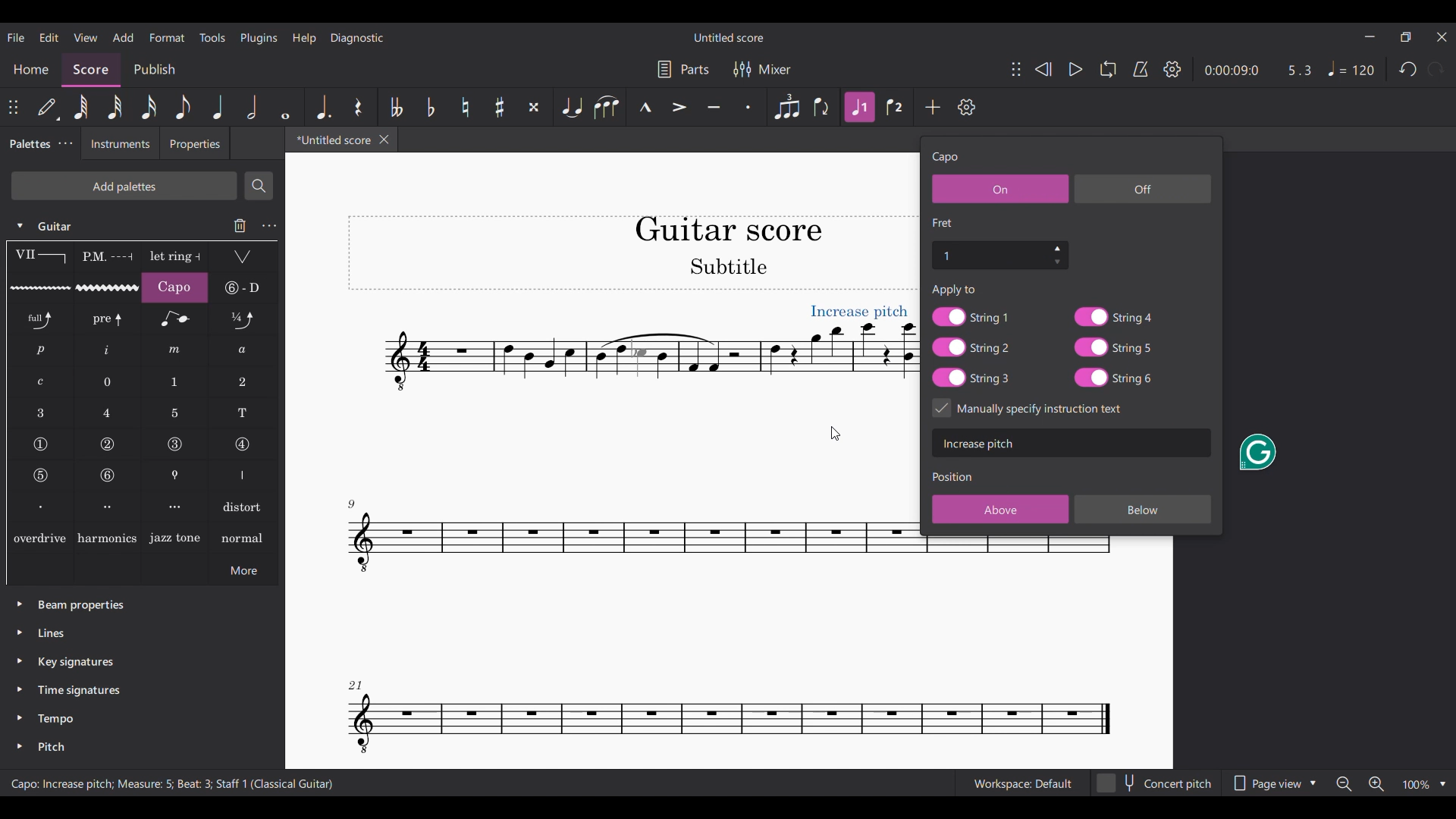 This screenshot has width=1456, height=819. I want to click on 16th note, so click(149, 107).